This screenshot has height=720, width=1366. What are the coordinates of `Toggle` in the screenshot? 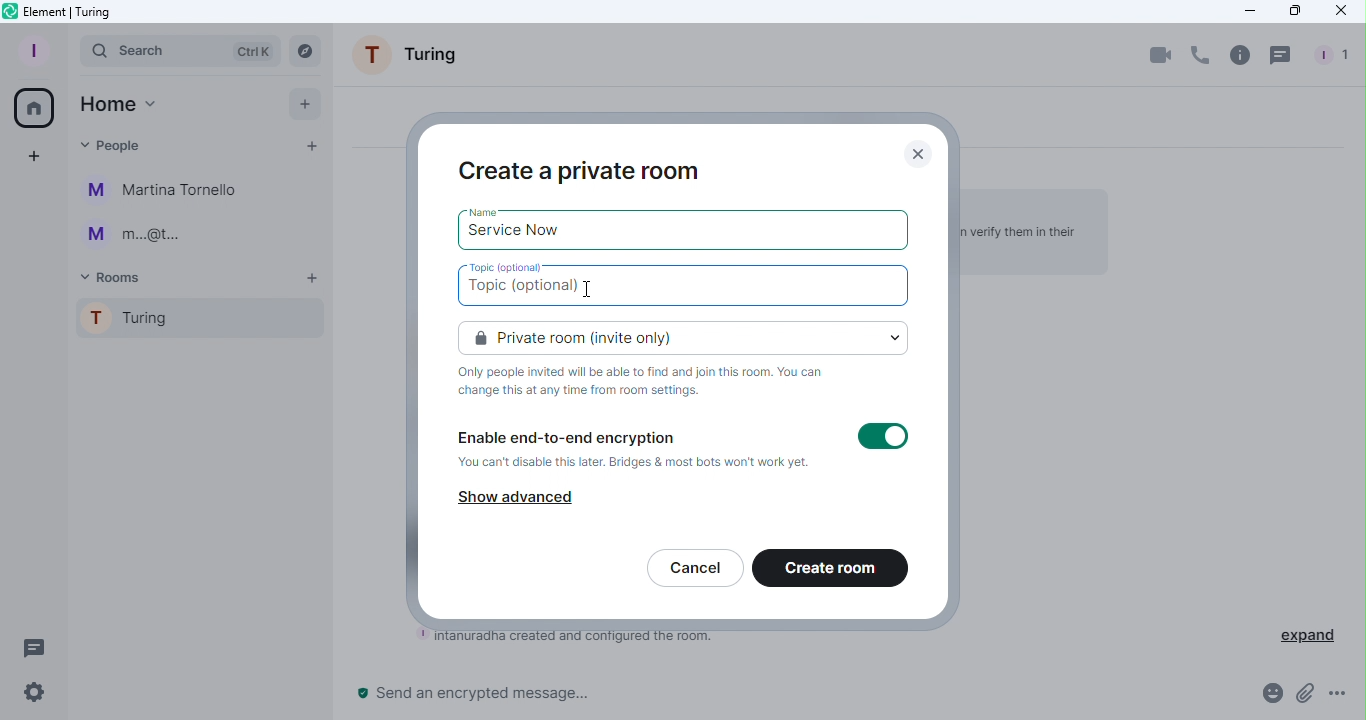 It's located at (883, 438).